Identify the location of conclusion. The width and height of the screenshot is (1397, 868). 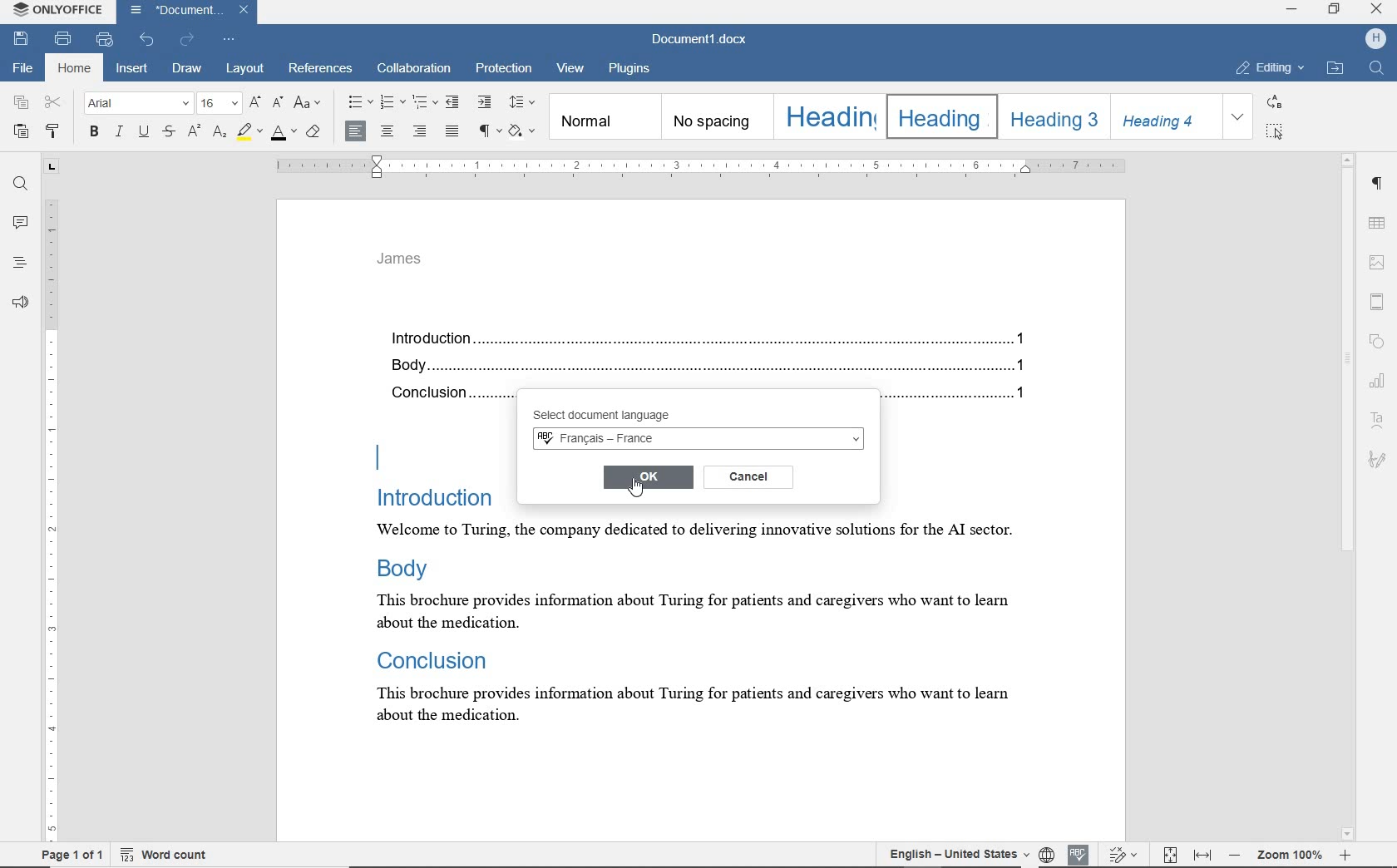
(446, 396).